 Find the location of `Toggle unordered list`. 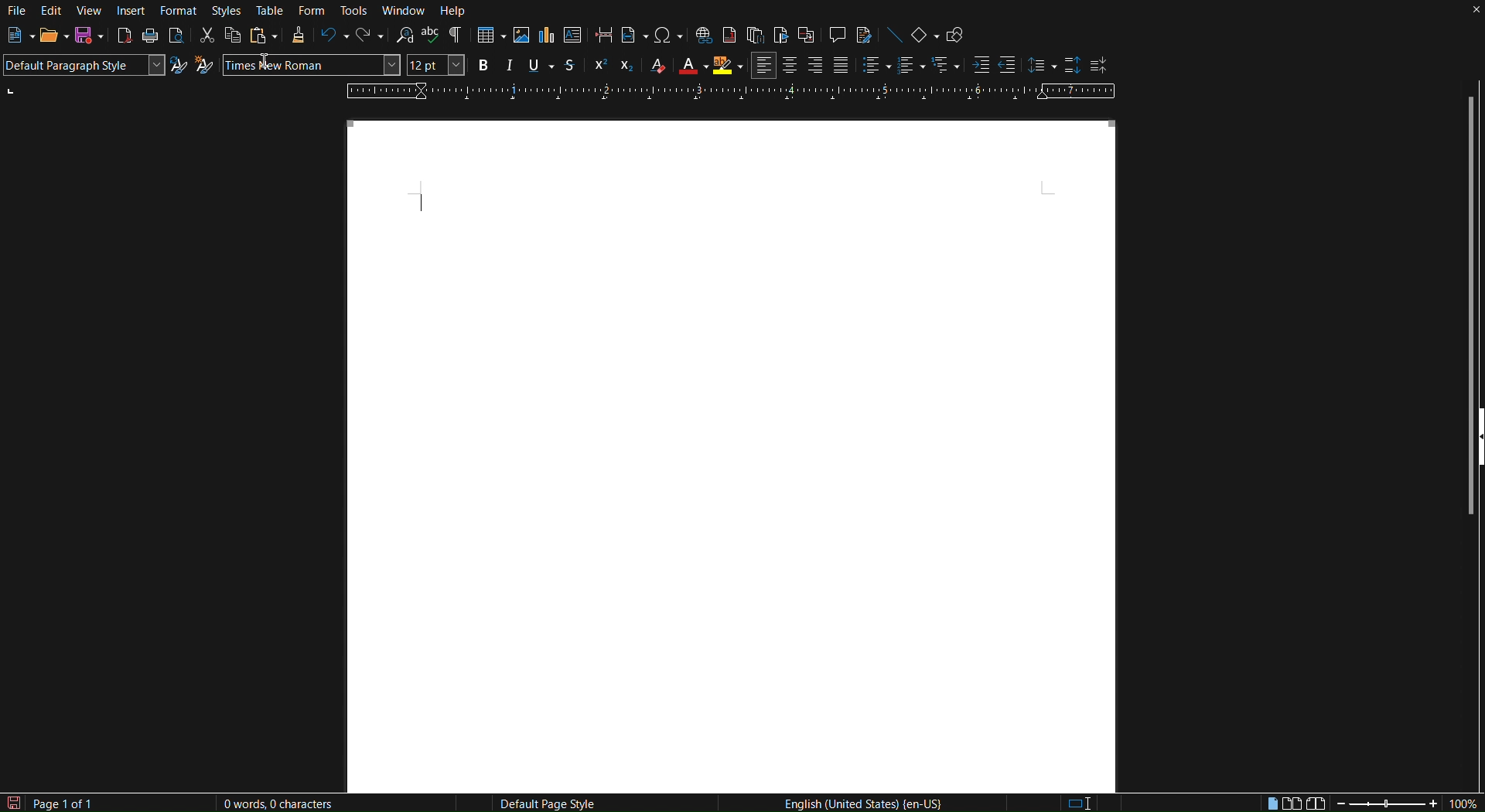

Toggle unordered list is located at coordinates (873, 67).